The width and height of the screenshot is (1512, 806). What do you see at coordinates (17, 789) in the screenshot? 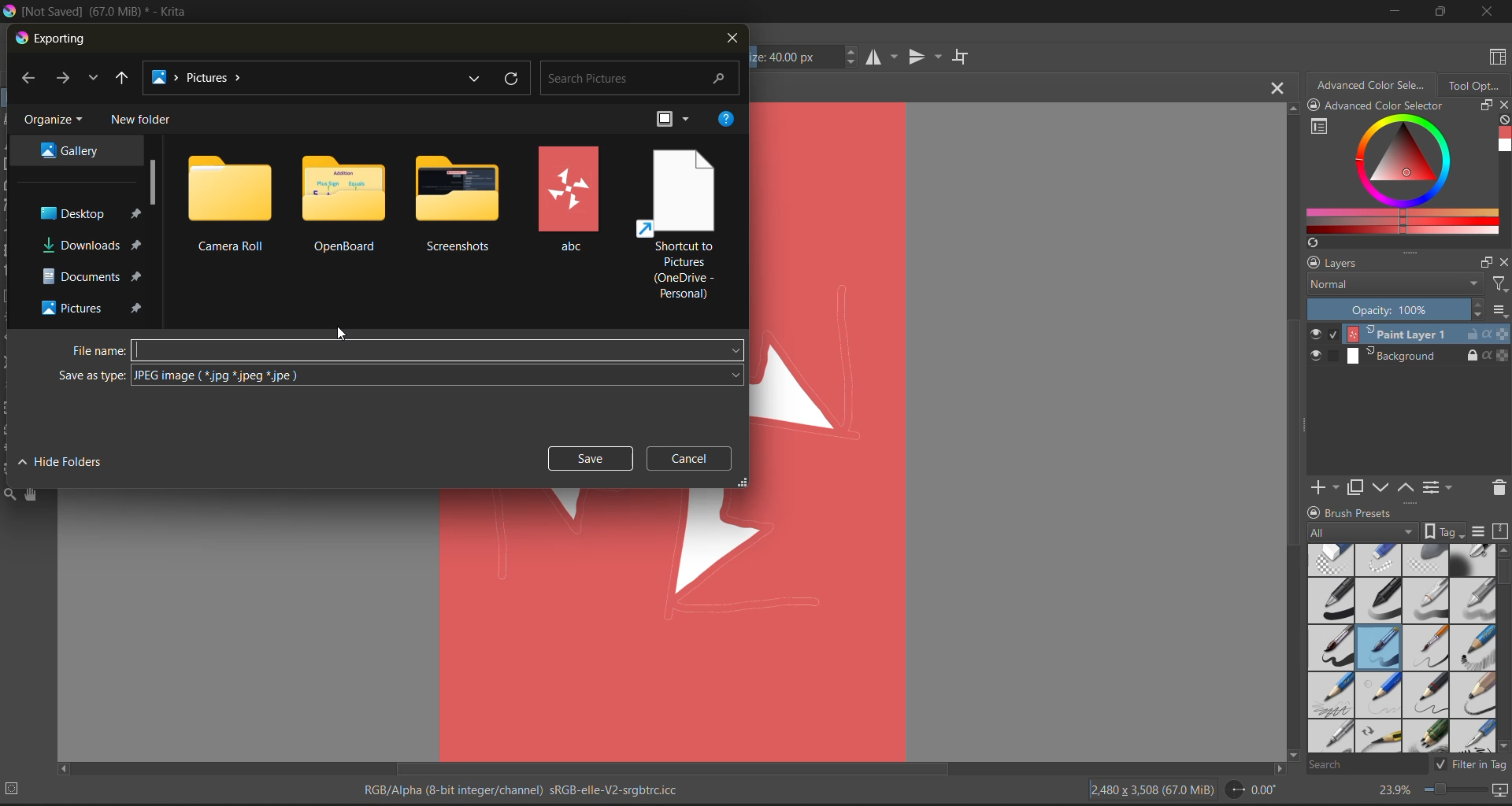
I see `No selection` at bounding box center [17, 789].